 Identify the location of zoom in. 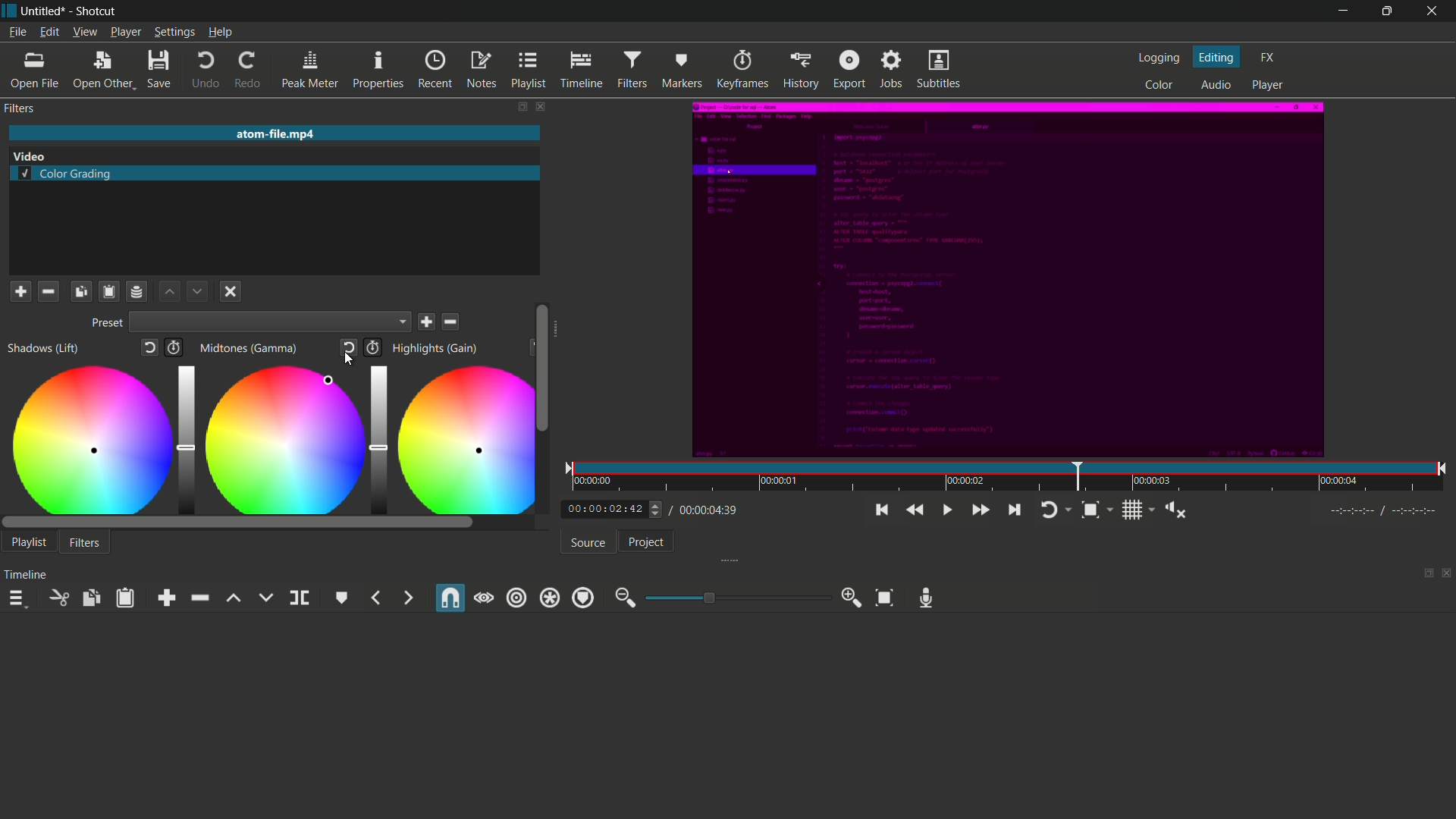
(852, 598).